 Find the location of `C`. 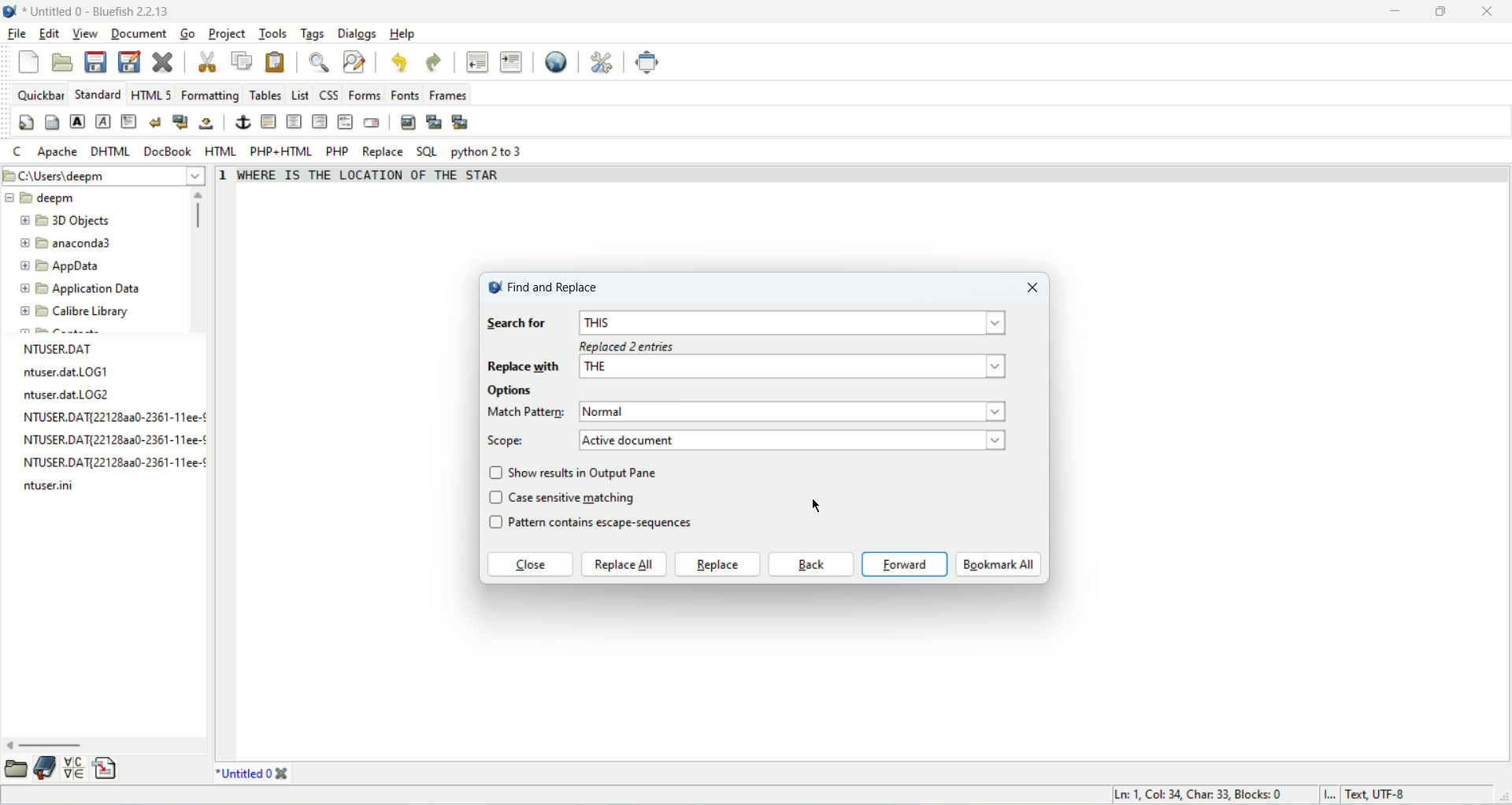

C is located at coordinates (19, 154).